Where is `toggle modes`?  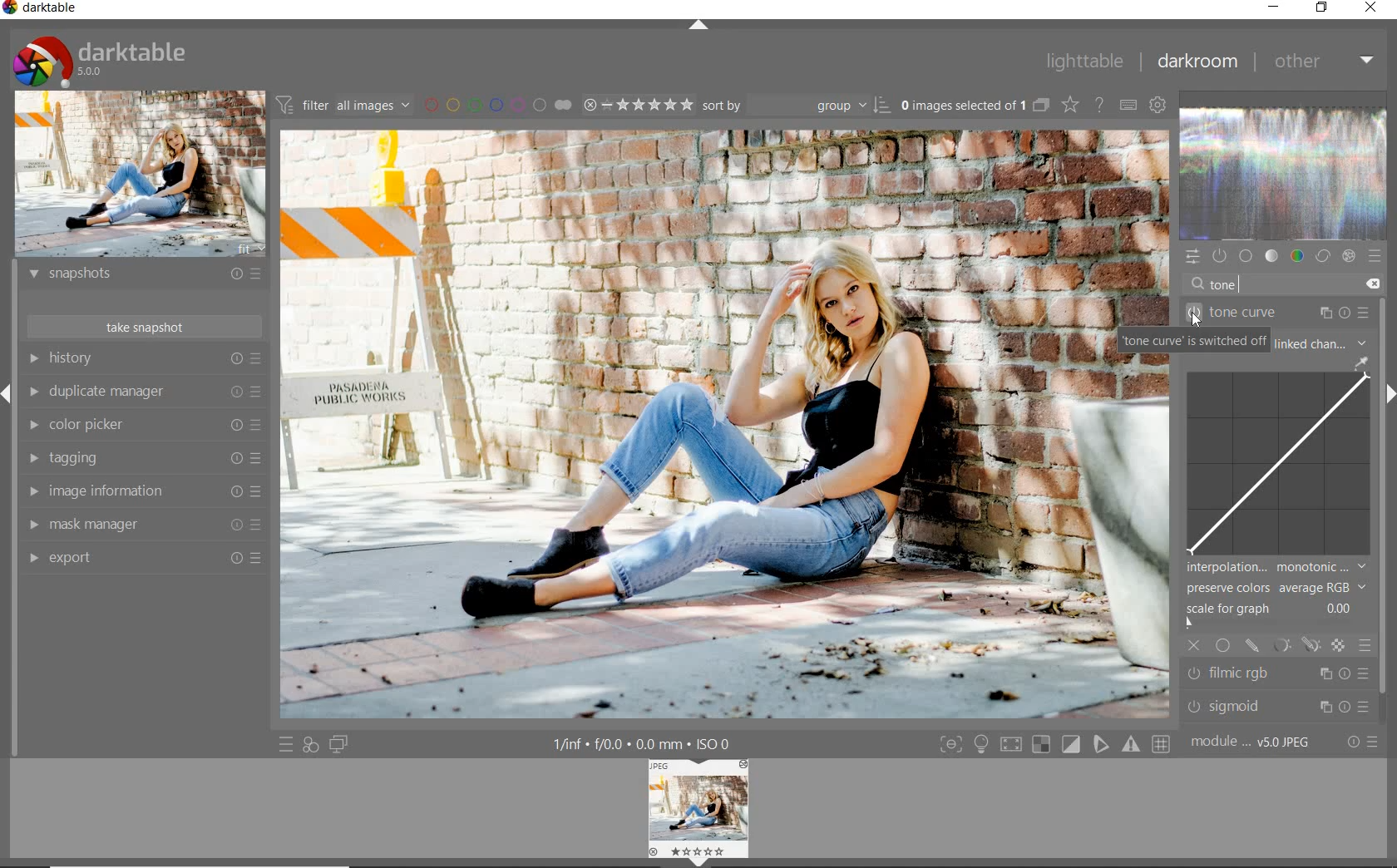
toggle modes is located at coordinates (1052, 745).